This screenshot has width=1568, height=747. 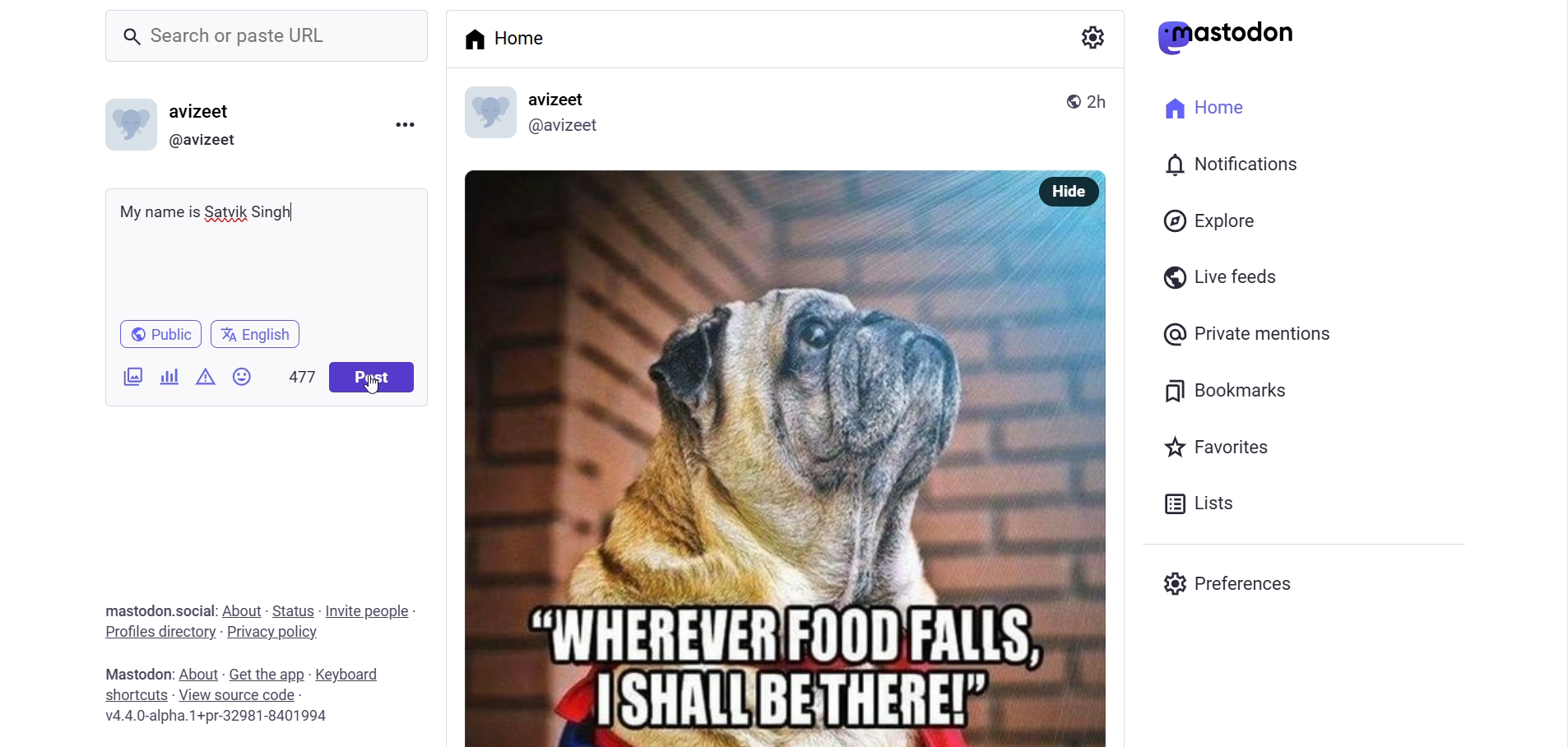 What do you see at coordinates (1238, 392) in the screenshot?
I see `Bookmarks` at bounding box center [1238, 392].